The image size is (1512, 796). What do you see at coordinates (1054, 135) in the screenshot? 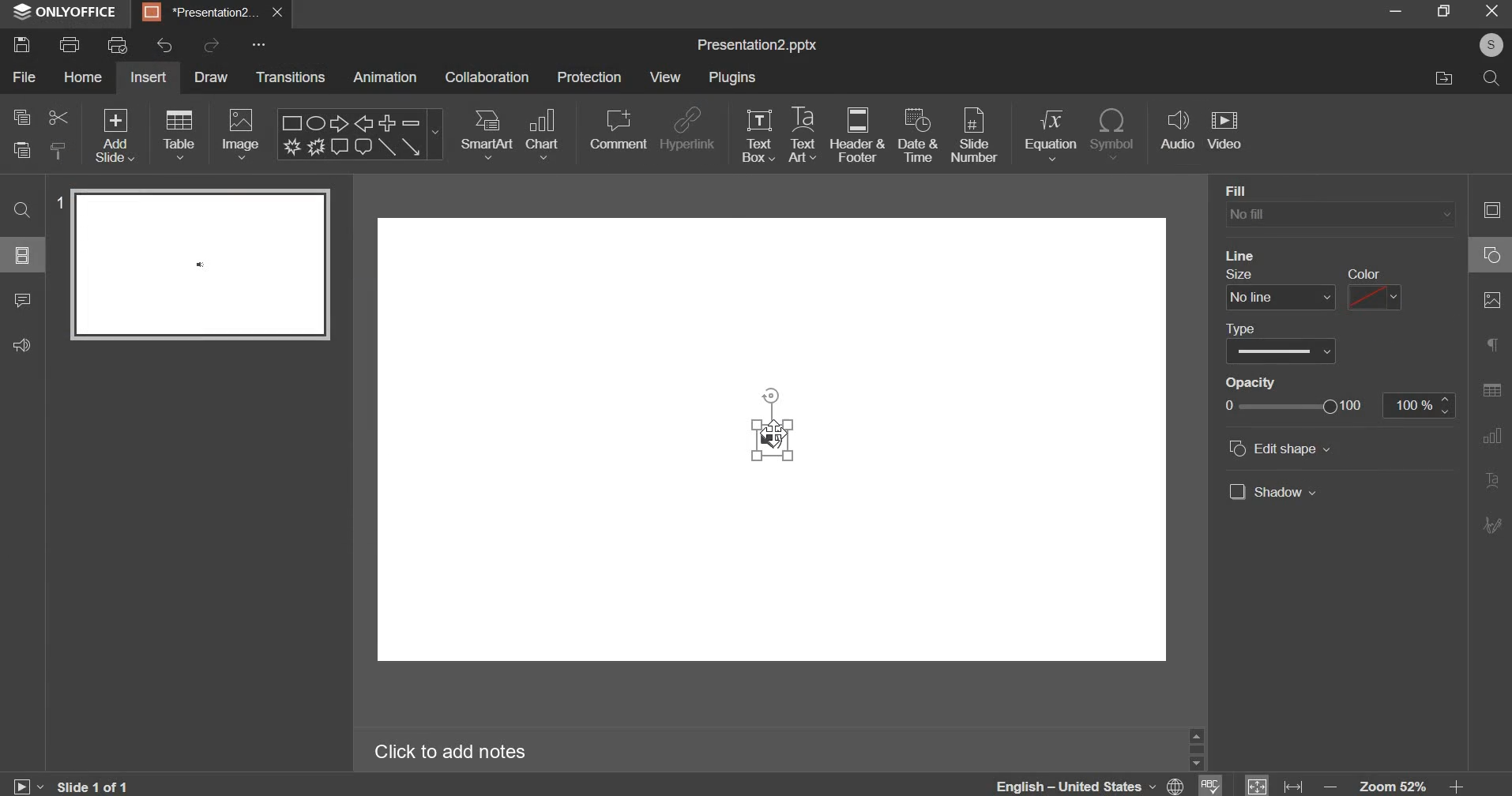
I see `insert equation` at bounding box center [1054, 135].